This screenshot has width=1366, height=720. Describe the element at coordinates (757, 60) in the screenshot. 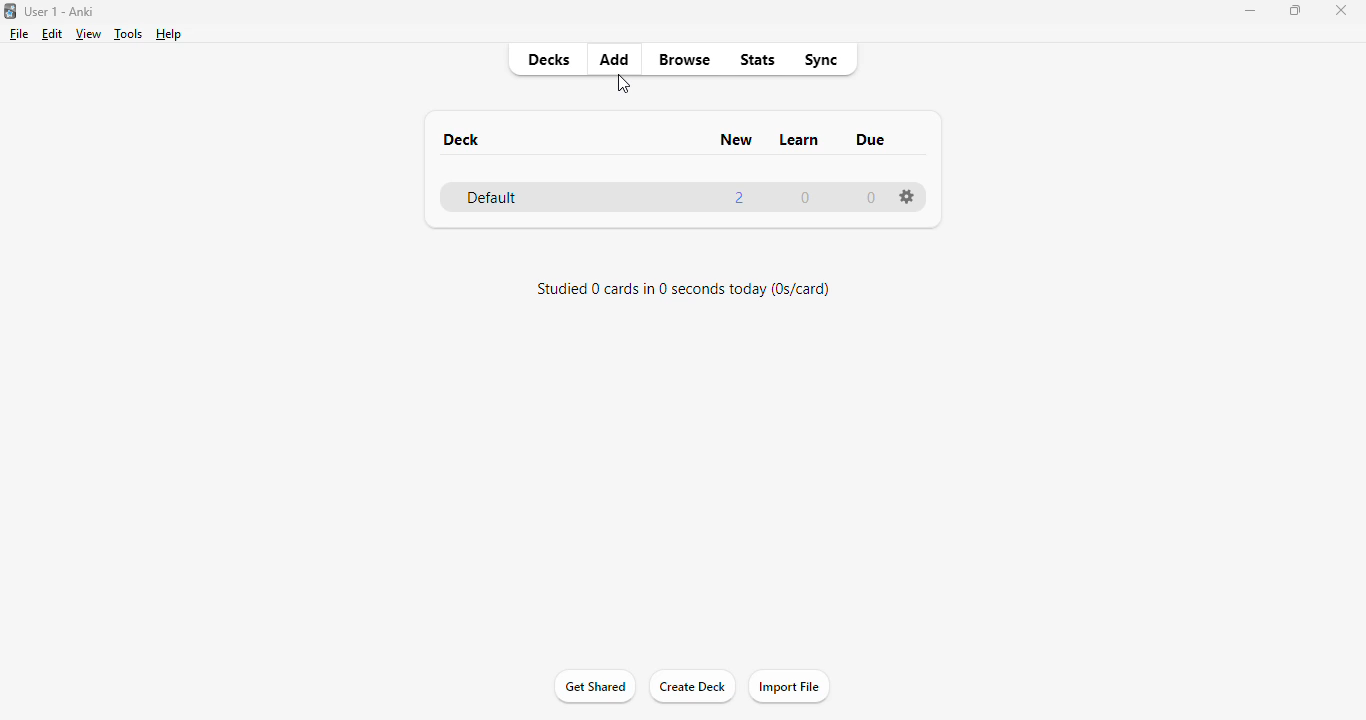

I see `stats` at that location.